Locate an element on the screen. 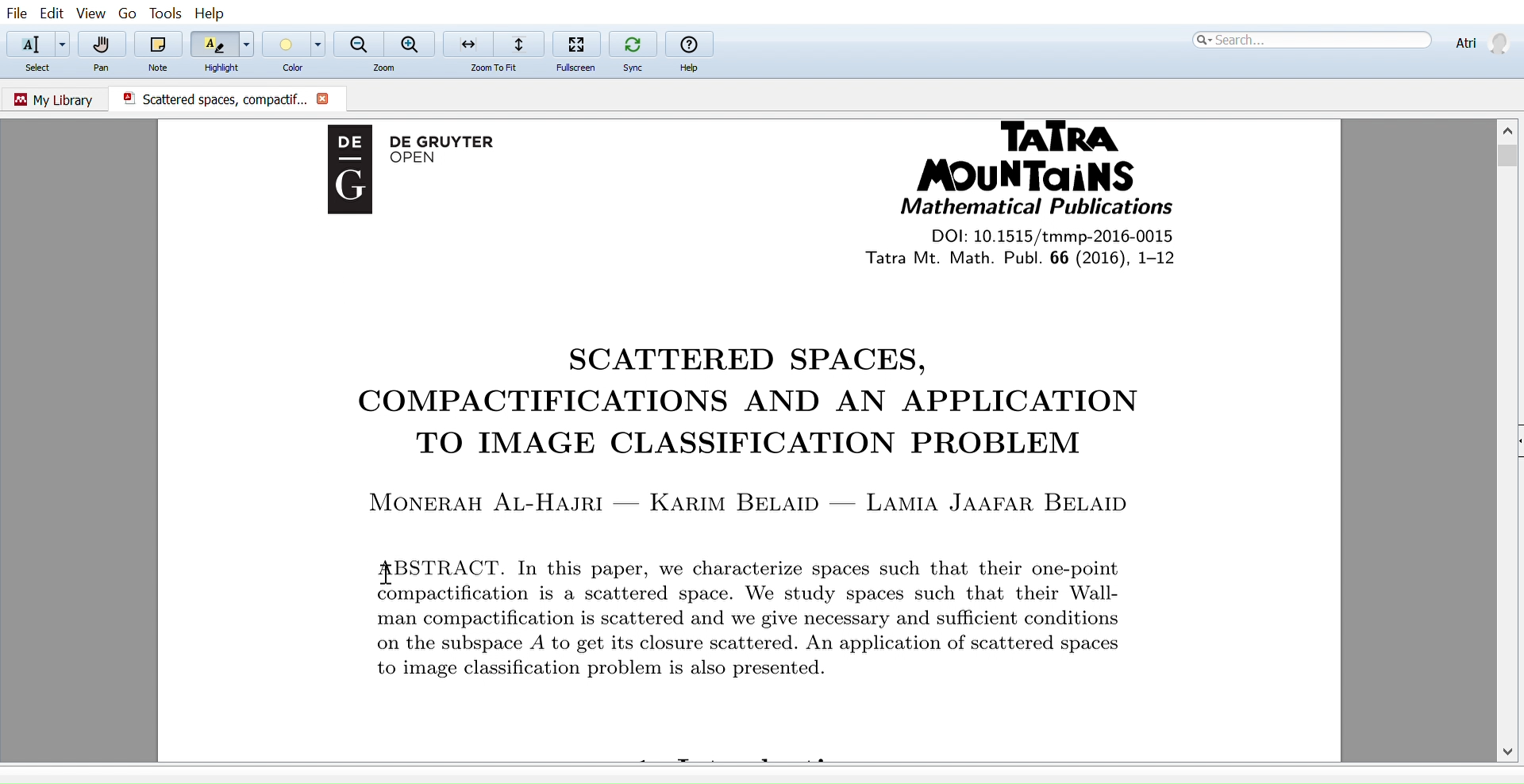 The width and height of the screenshot is (1524, 784). Sync is located at coordinates (633, 67).